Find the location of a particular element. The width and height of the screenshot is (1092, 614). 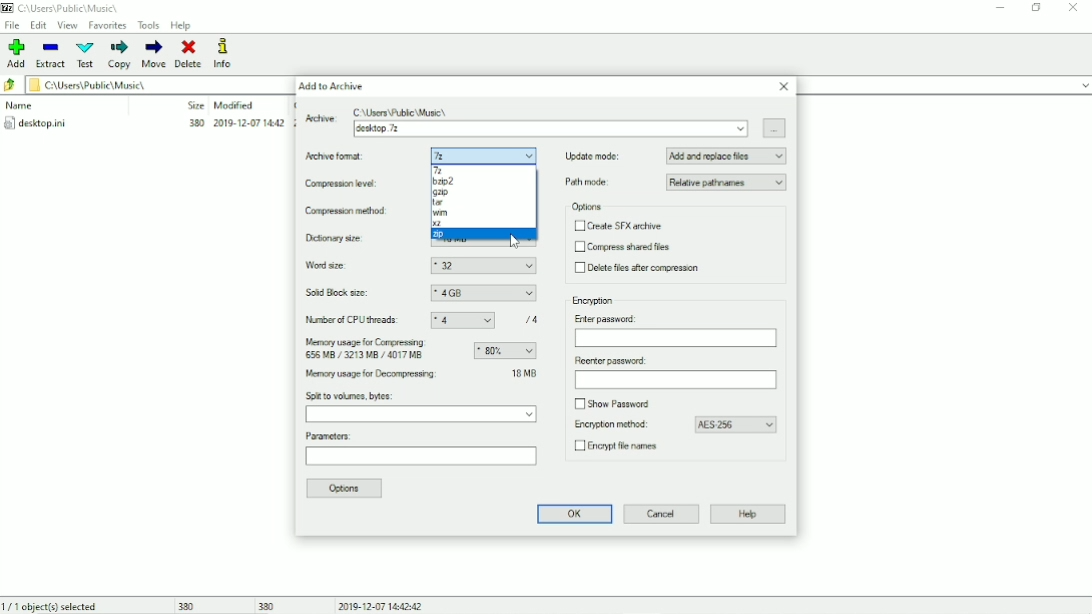

zip is located at coordinates (440, 235).